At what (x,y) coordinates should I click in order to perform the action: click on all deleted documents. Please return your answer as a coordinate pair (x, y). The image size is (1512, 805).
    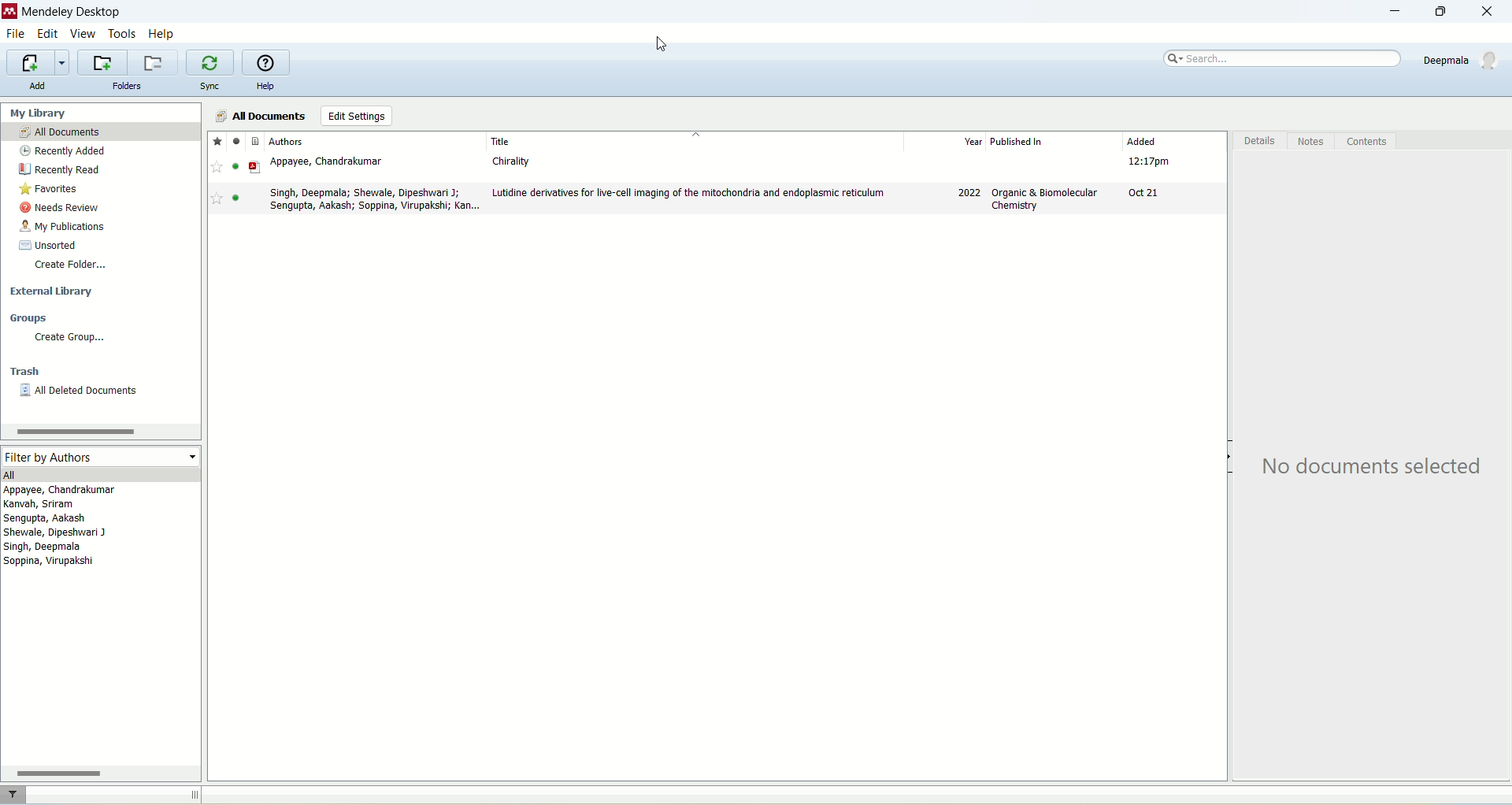
    Looking at the image, I should click on (83, 394).